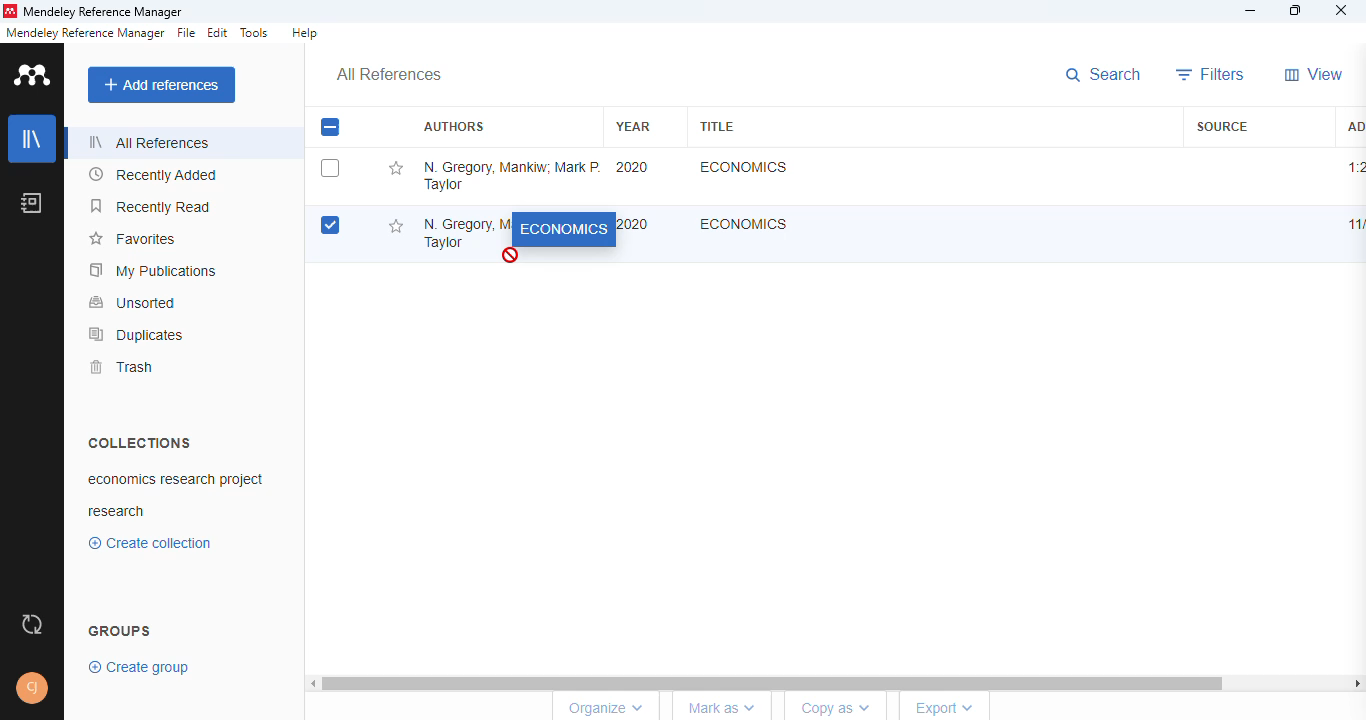 The height and width of the screenshot is (720, 1366). What do you see at coordinates (603, 707) in the screenshot?
I see `organize` at bounding box center [603, 707].